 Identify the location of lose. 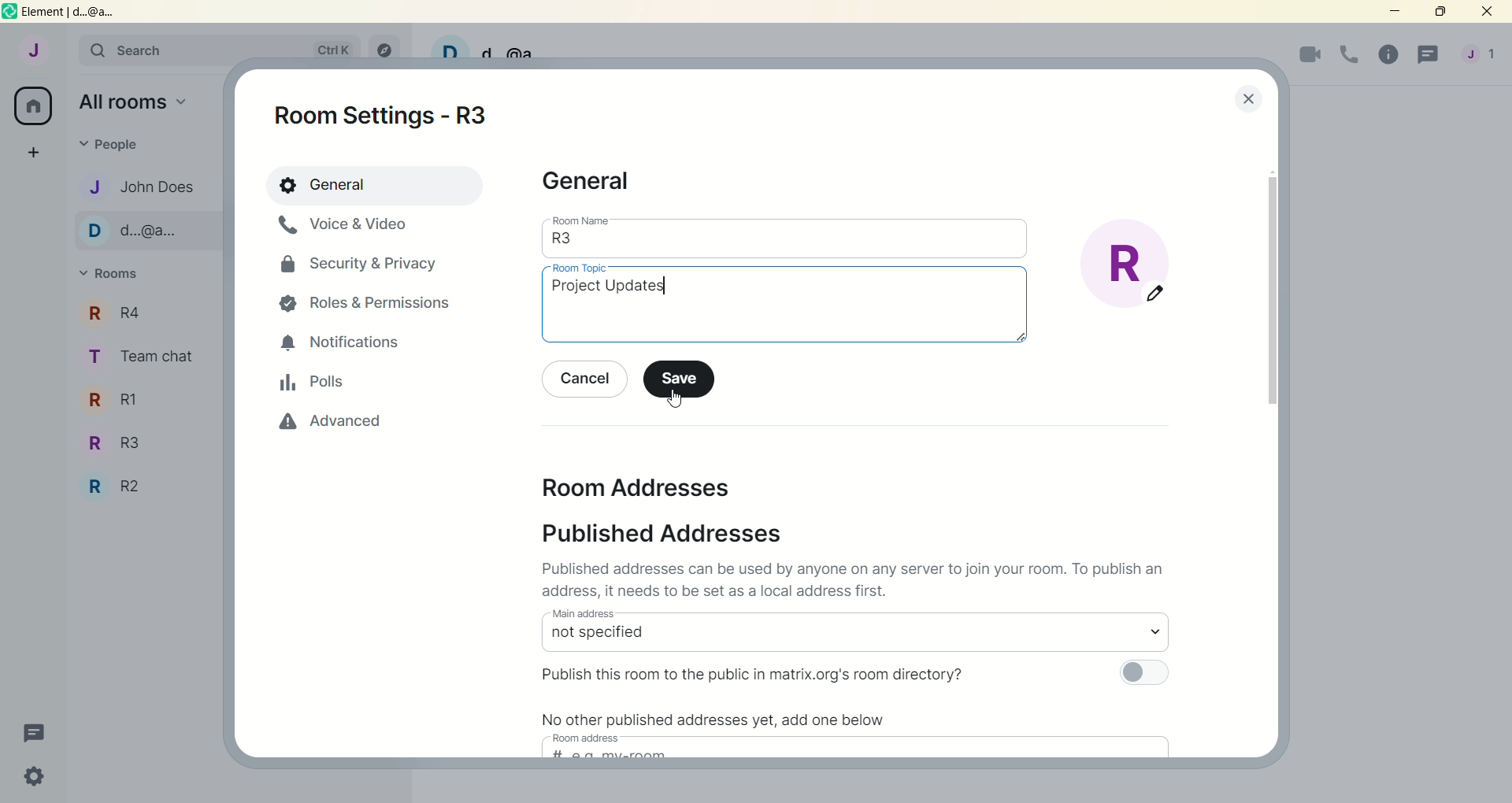
(1253, 95).